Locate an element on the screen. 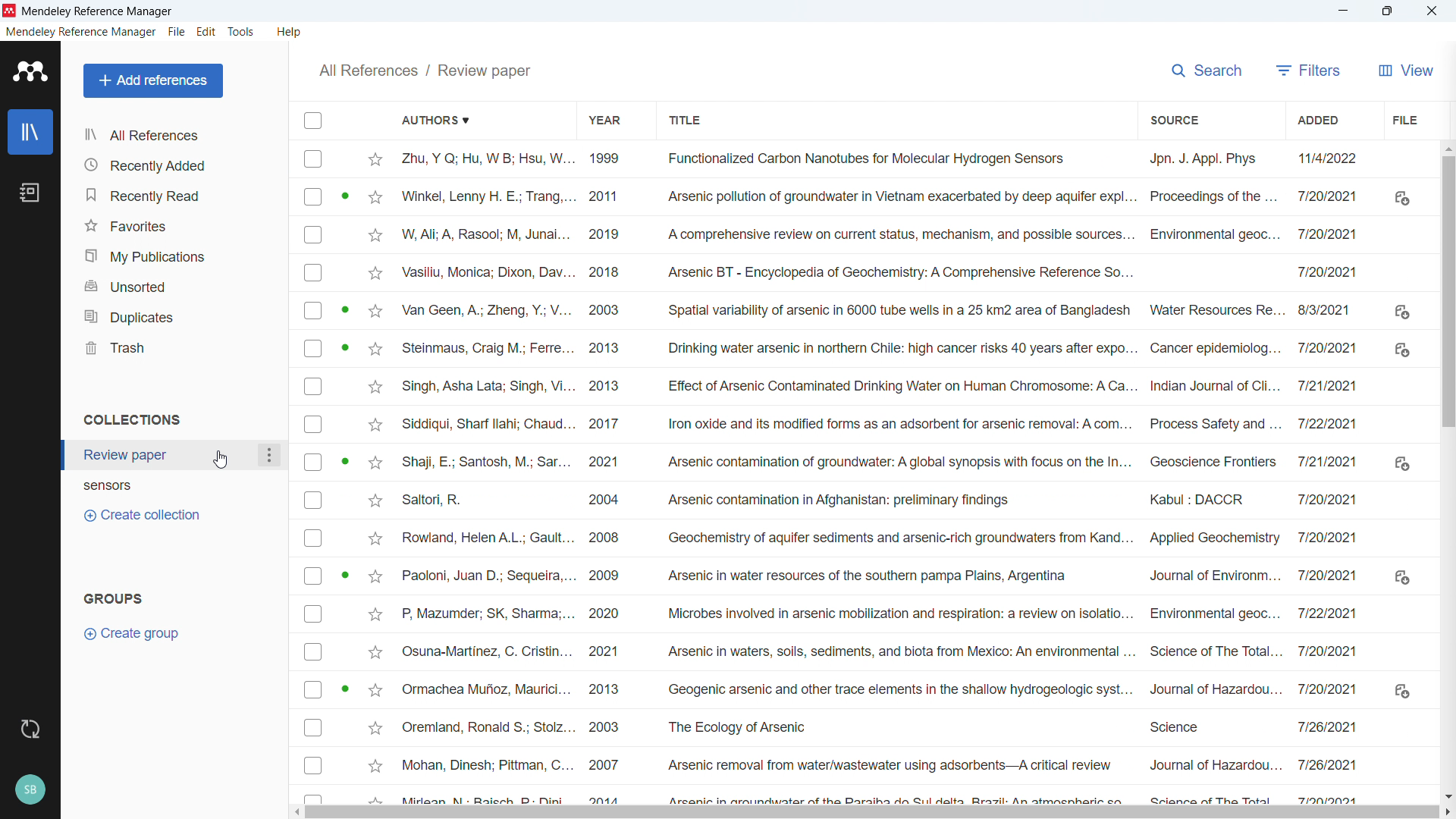  Star Mark Individual entries  is located at coordinates (373, 475).